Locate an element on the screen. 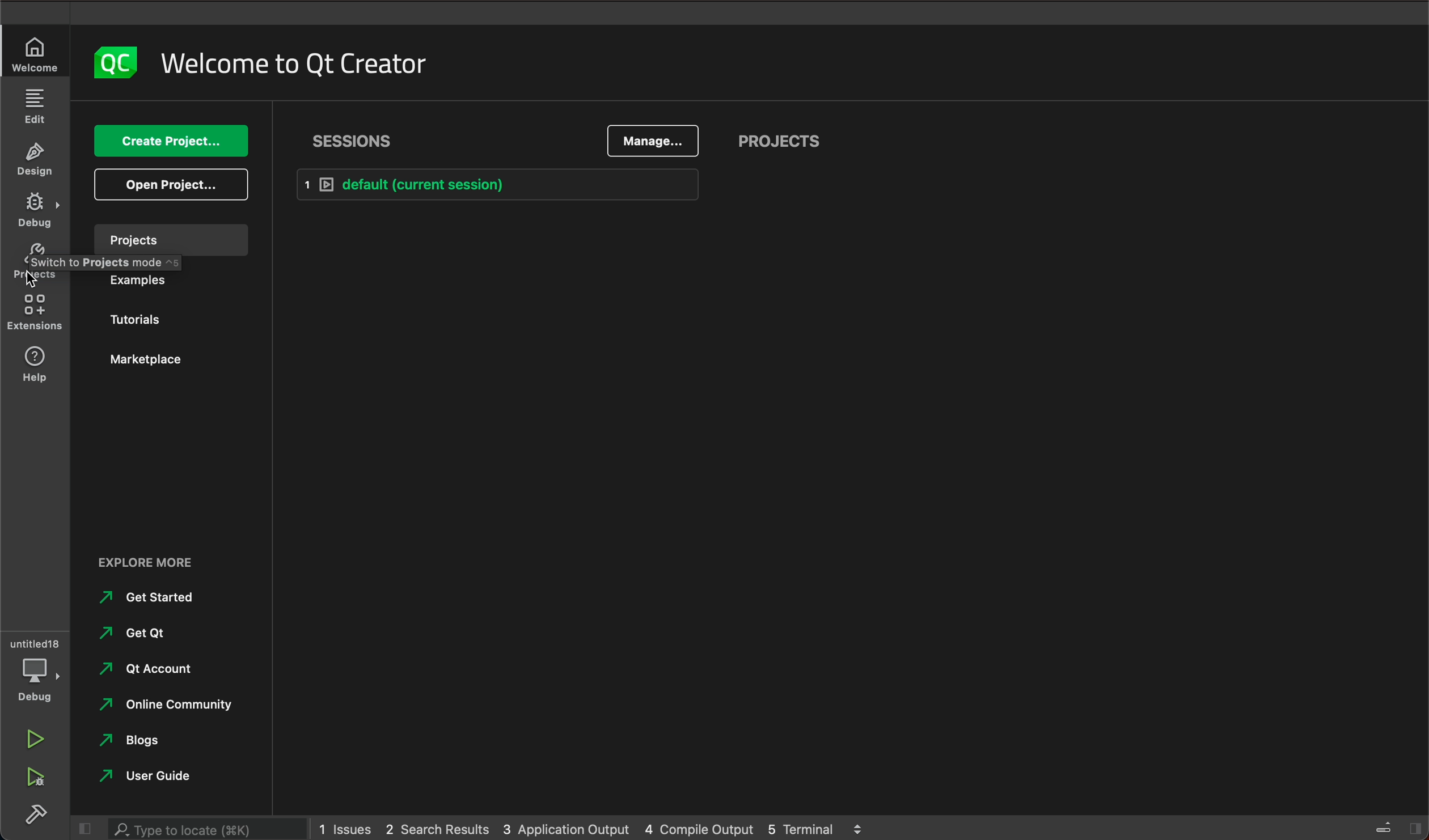 The width and height of the screenshot is (1429, 840). projects is located at coordinates (40, 264).